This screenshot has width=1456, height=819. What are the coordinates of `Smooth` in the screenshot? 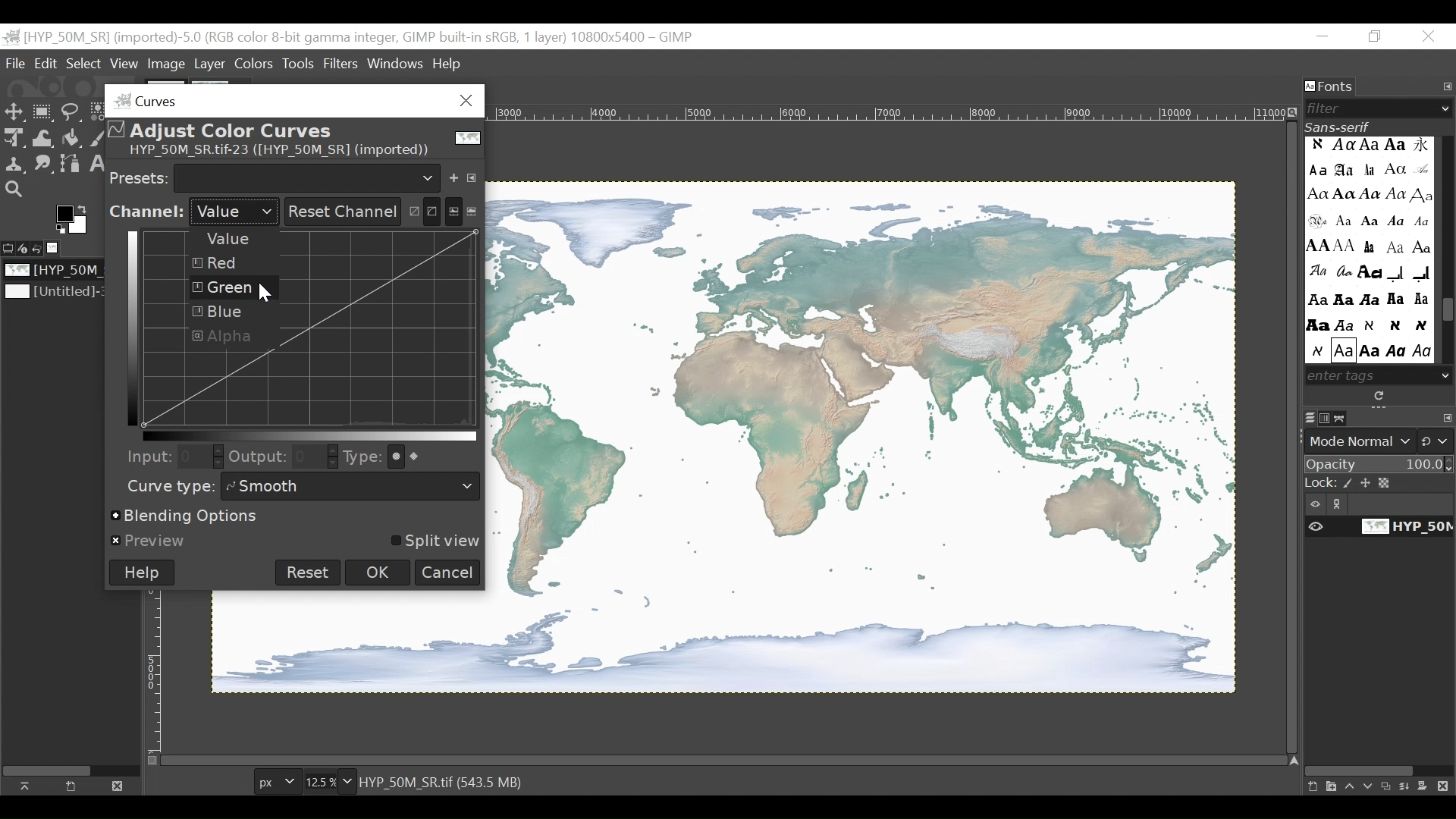 It's located at (353, 487).